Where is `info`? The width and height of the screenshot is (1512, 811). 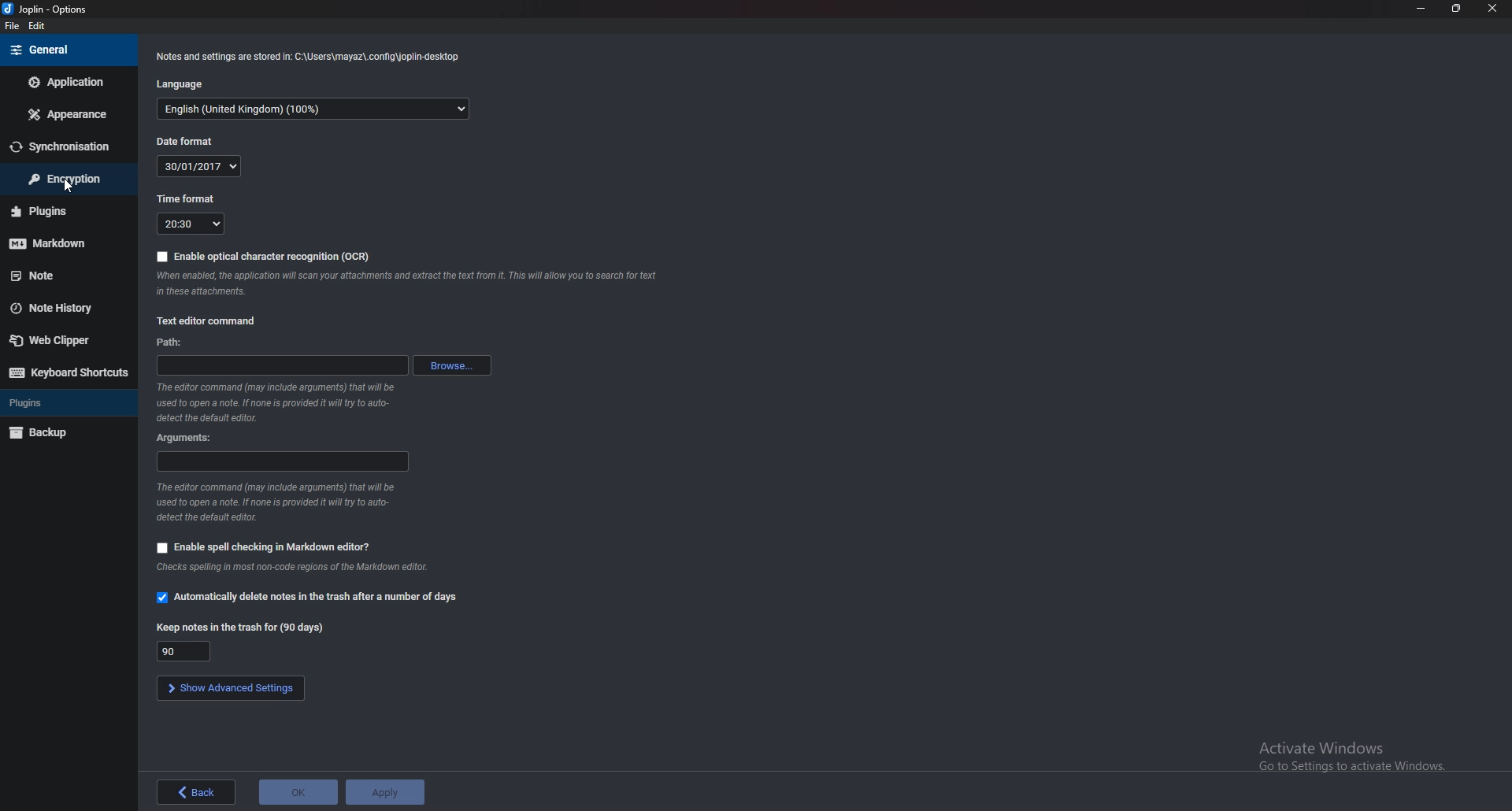 info is located at coordinates (276, 404).